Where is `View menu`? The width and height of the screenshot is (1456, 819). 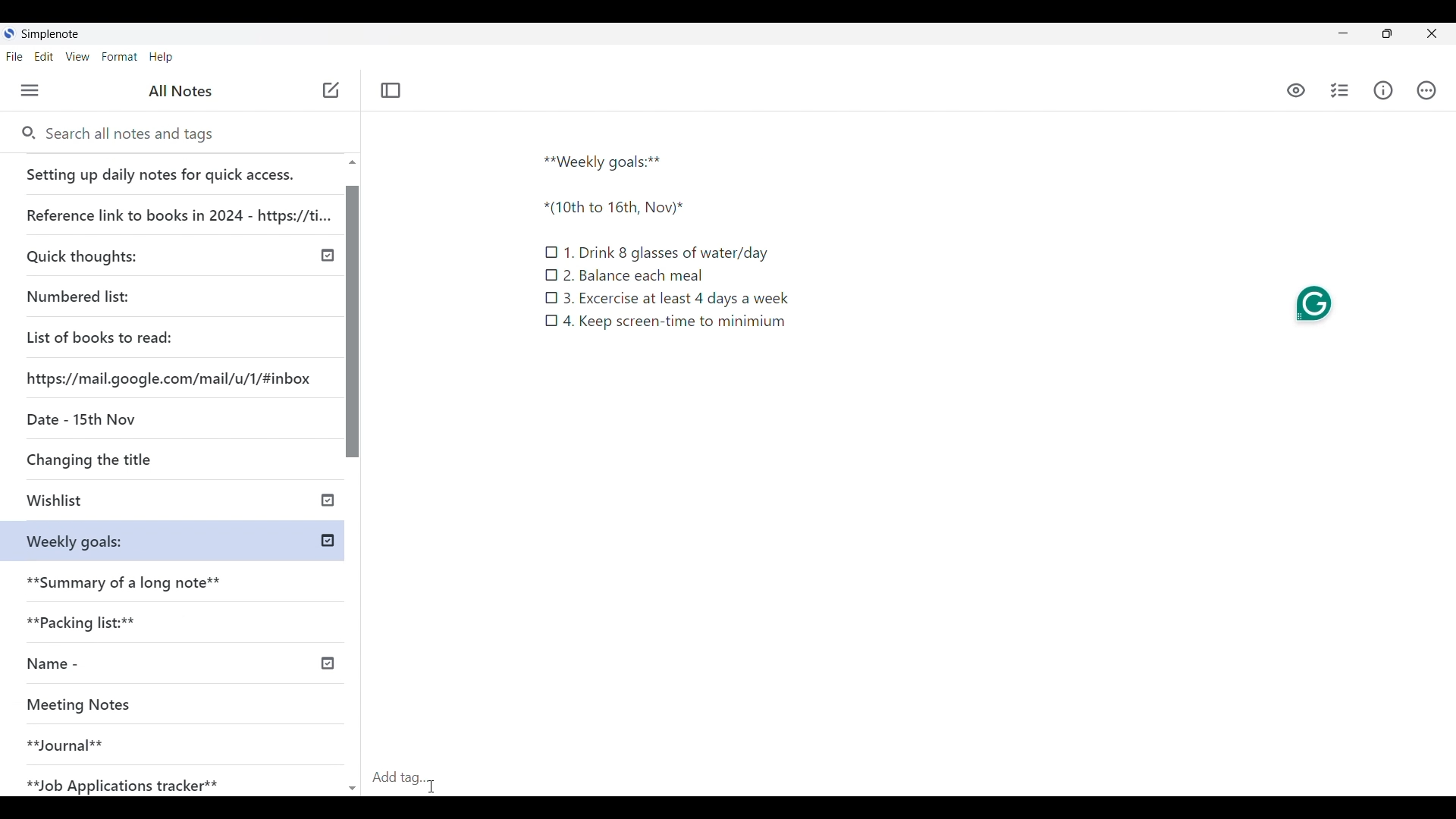 View menu is located at coordinates (77, 57).